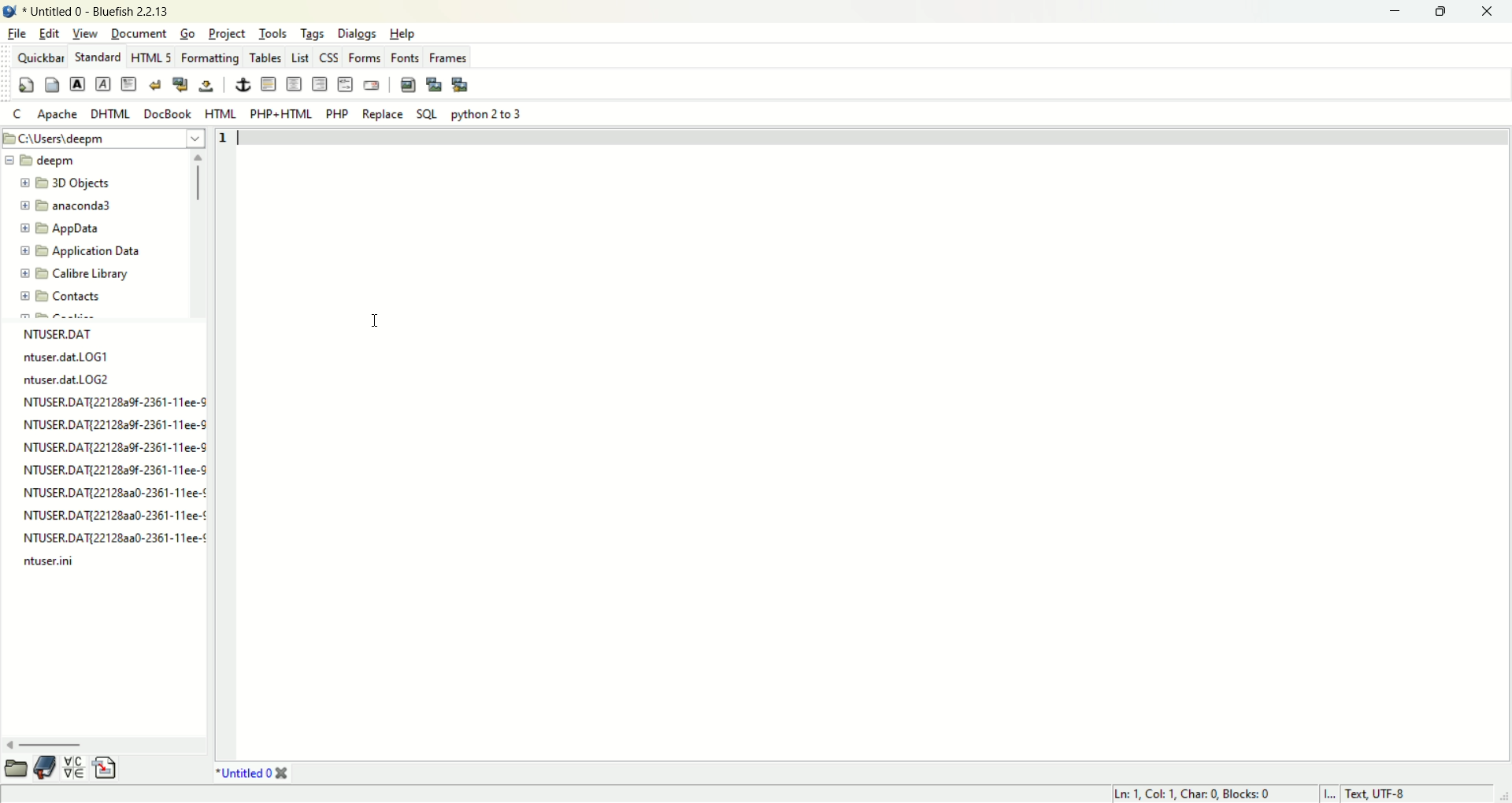  I want to click on cursor, so click(372, 325).